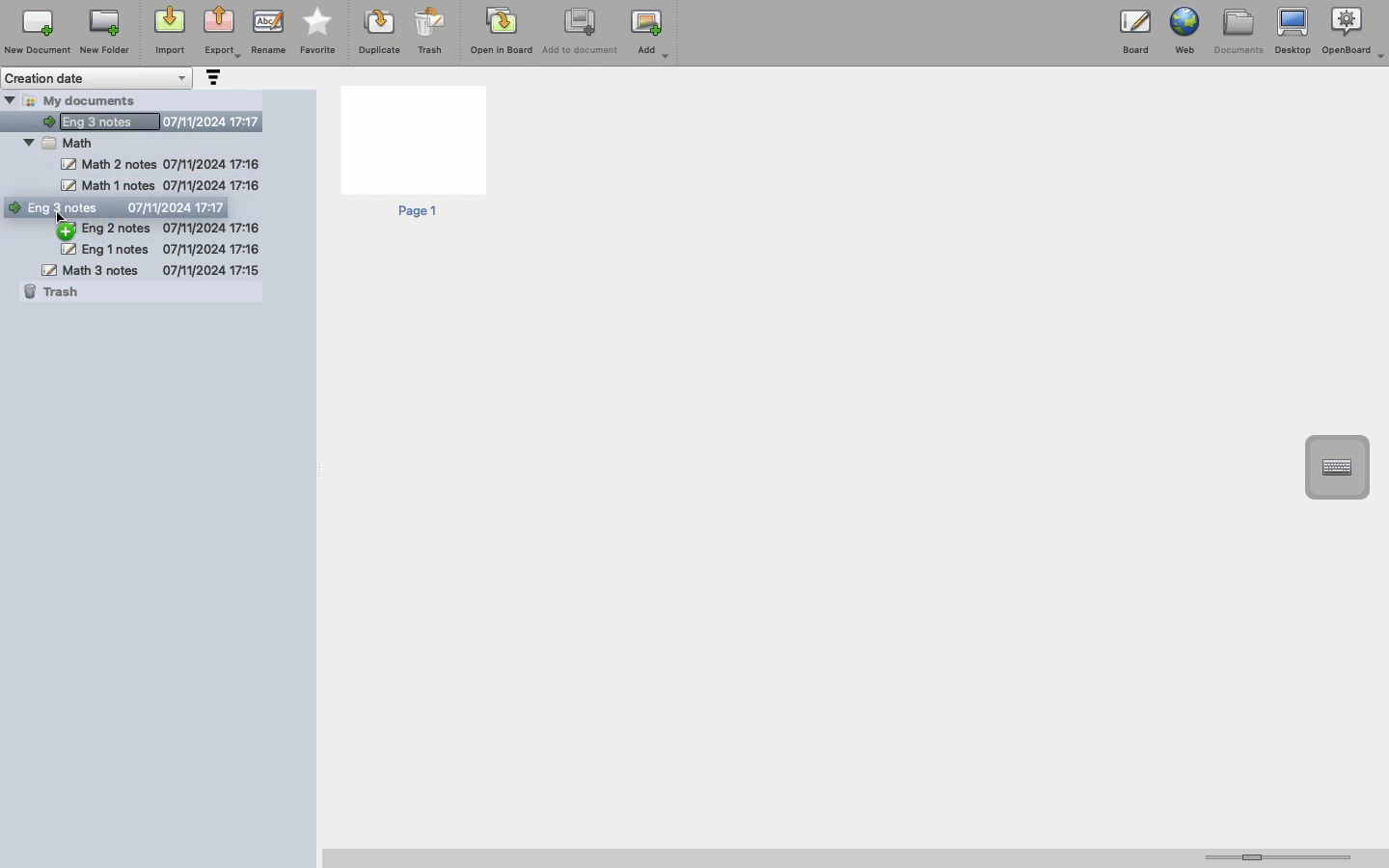 The height and width of the screenshot is (868, 1389). I want to click on Favorite, so click(318, 32).